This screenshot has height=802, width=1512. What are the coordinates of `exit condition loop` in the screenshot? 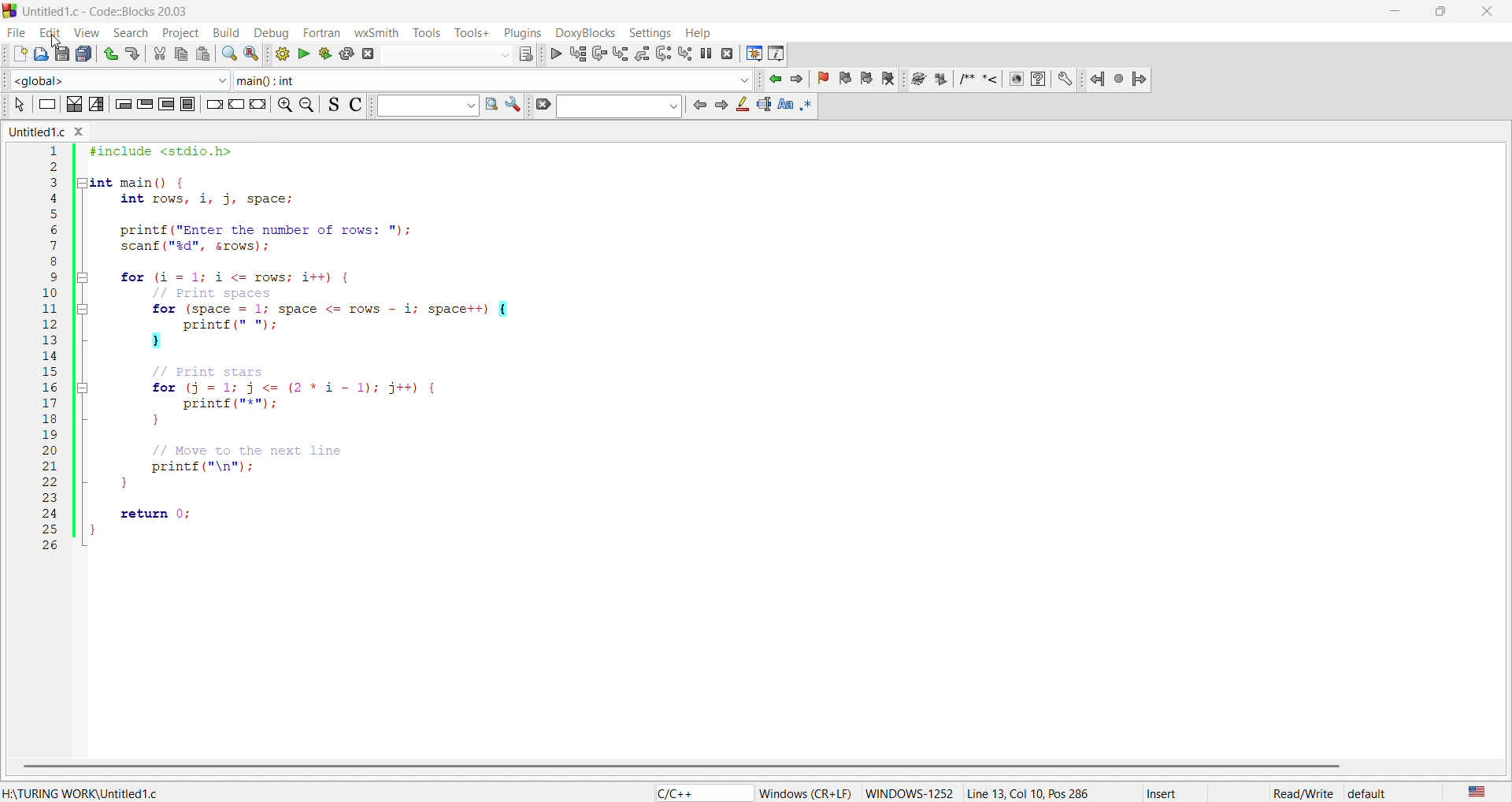 It's located at (145, 104).